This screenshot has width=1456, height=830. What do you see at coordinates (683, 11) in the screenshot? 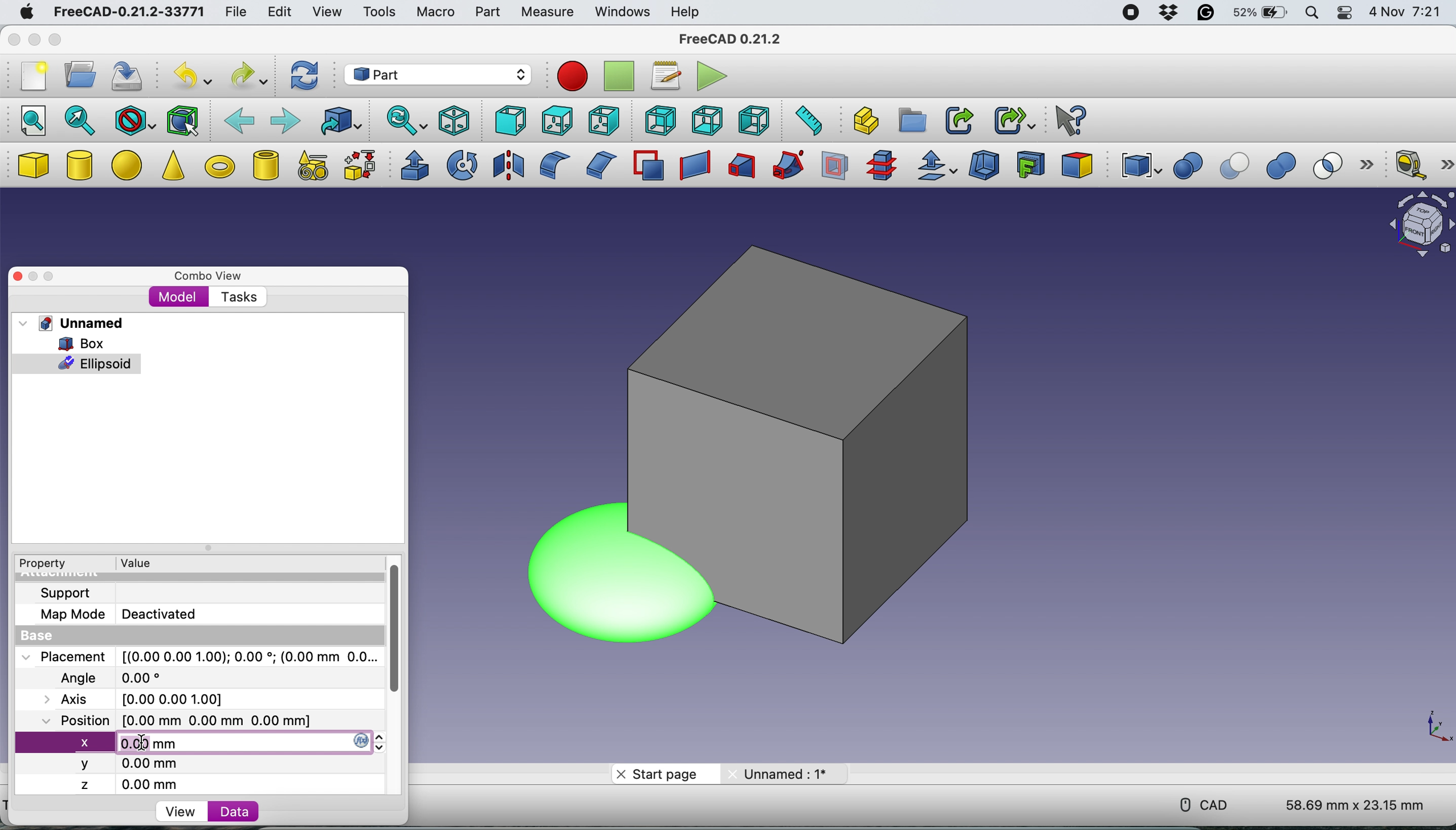
I see `help` at bounding box center [683, 11].